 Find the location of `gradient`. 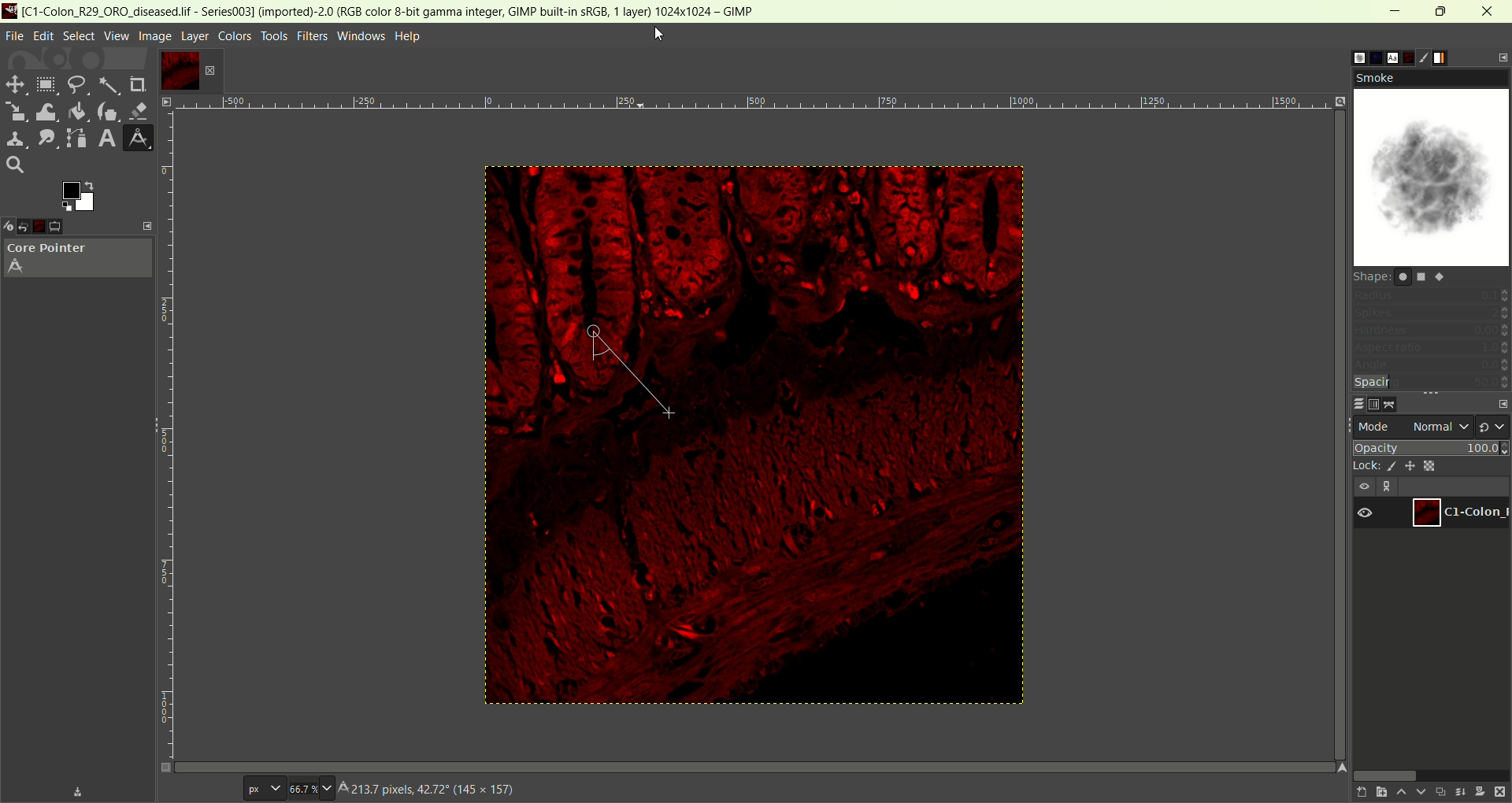

gradient is located at coordinates (1451, 57).